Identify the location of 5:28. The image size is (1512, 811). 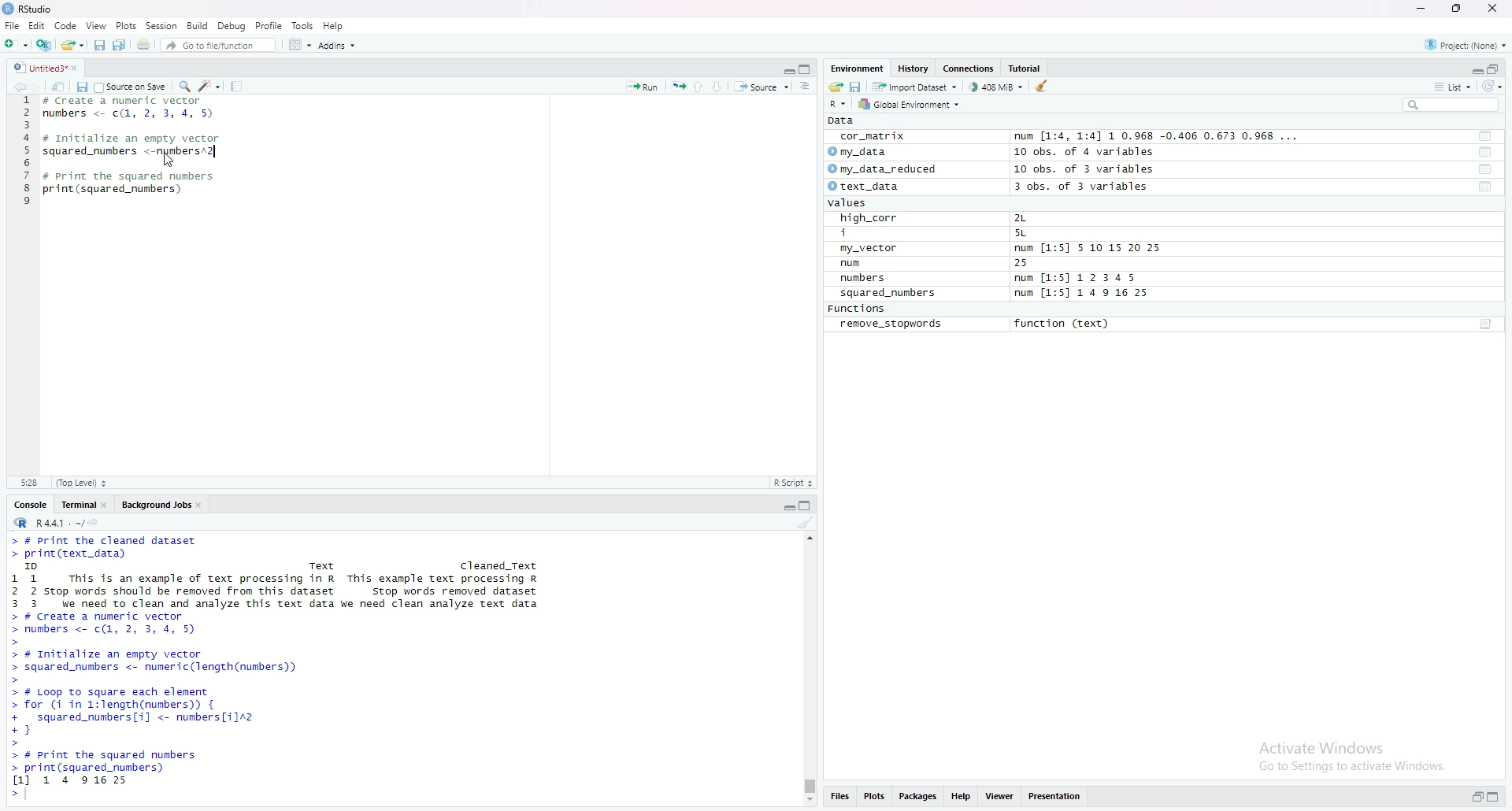
(28, 482).